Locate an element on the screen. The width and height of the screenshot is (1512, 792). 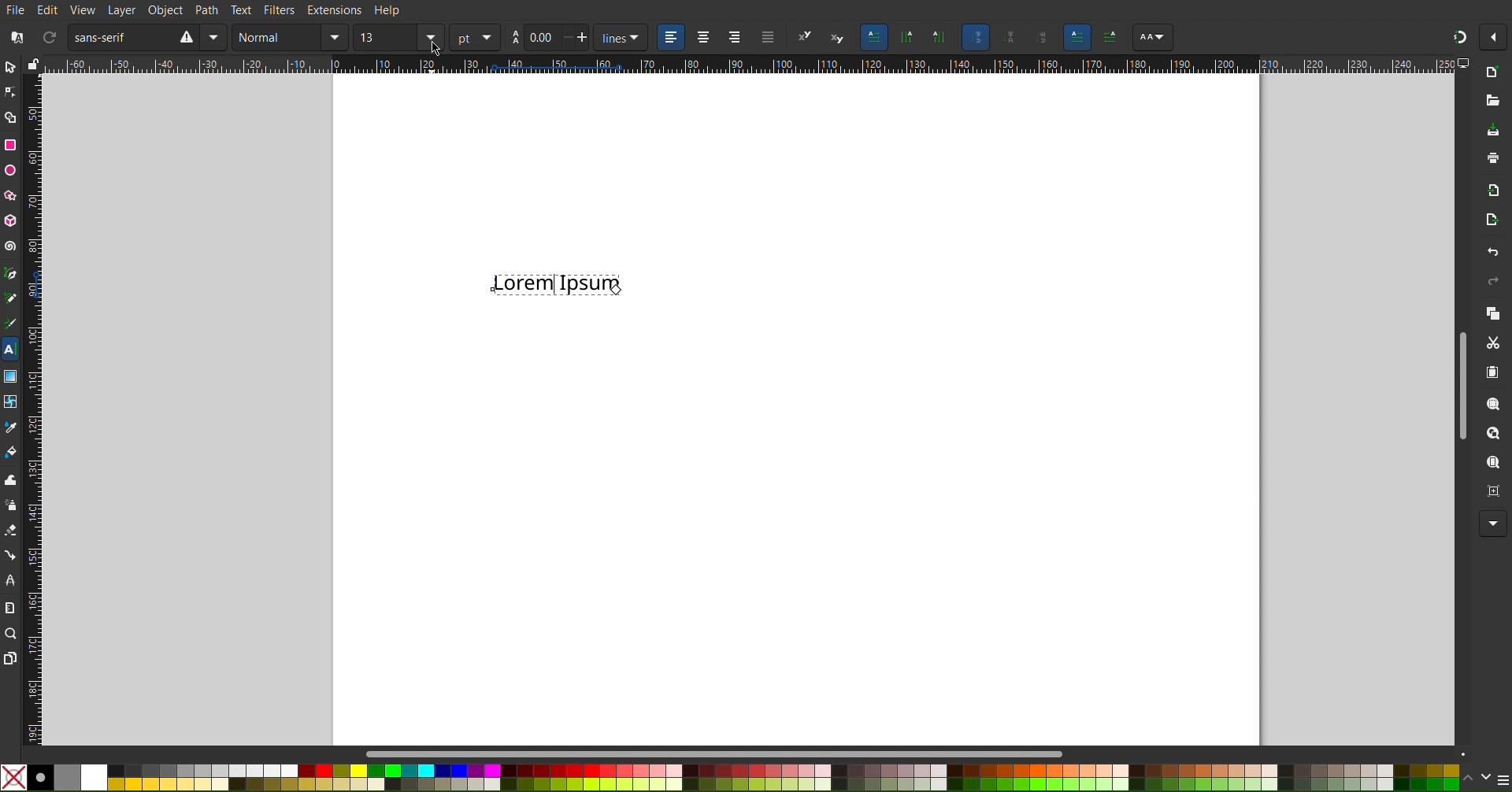
Options is located at coordinates (1495, 37).